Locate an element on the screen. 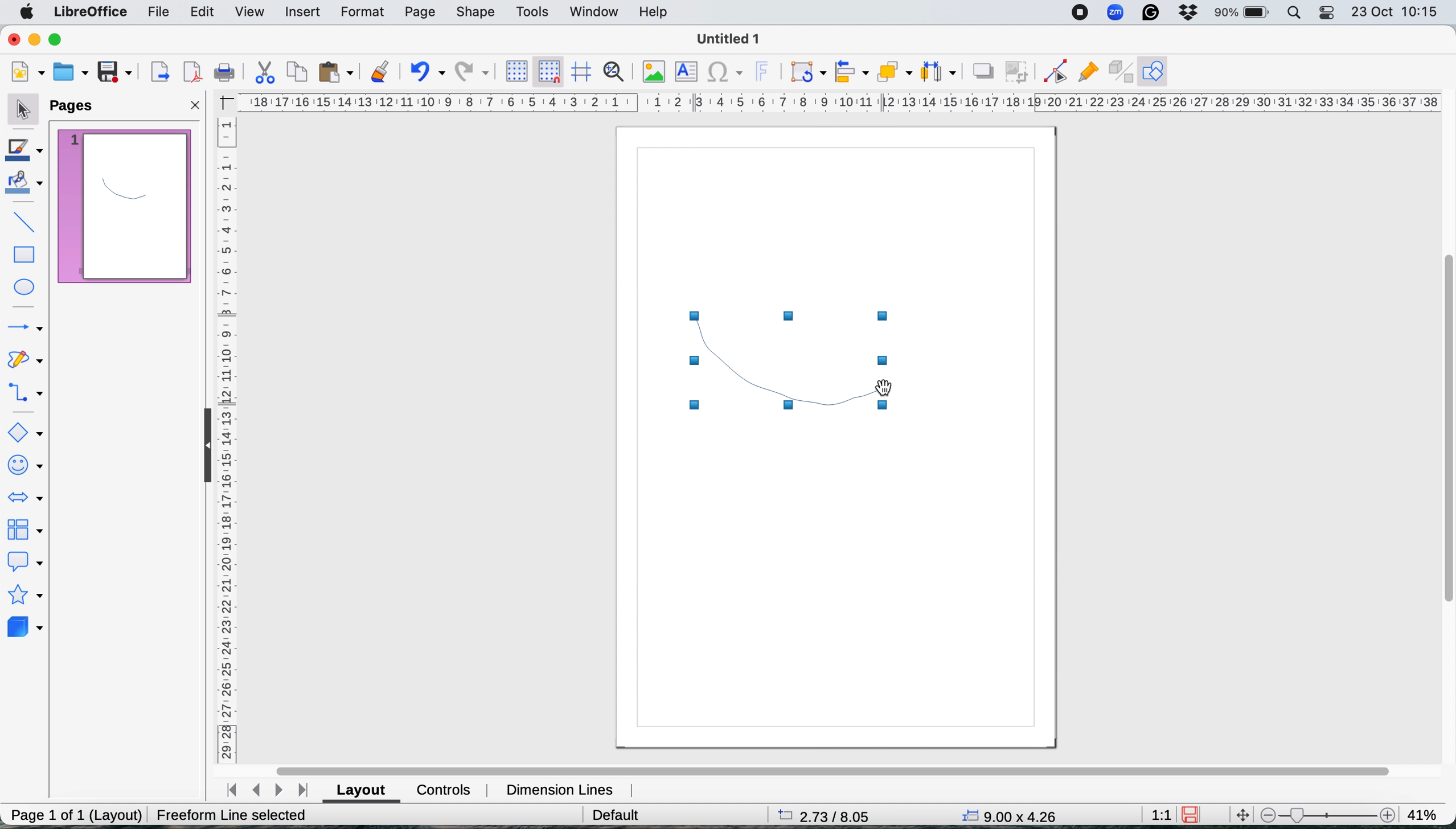  aspect ratio is located at coordinates (1158, 814).